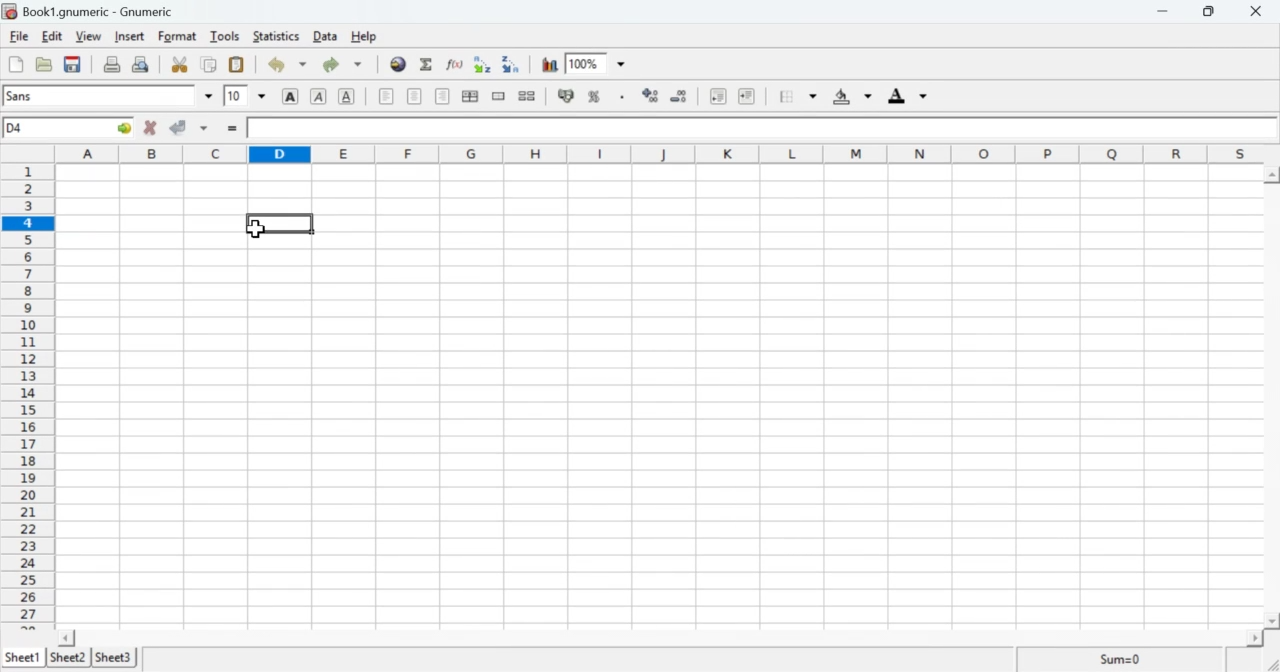  Describe the element at coordinates (14, 64) in the screenshot. I see `Create new workbook` at that location.